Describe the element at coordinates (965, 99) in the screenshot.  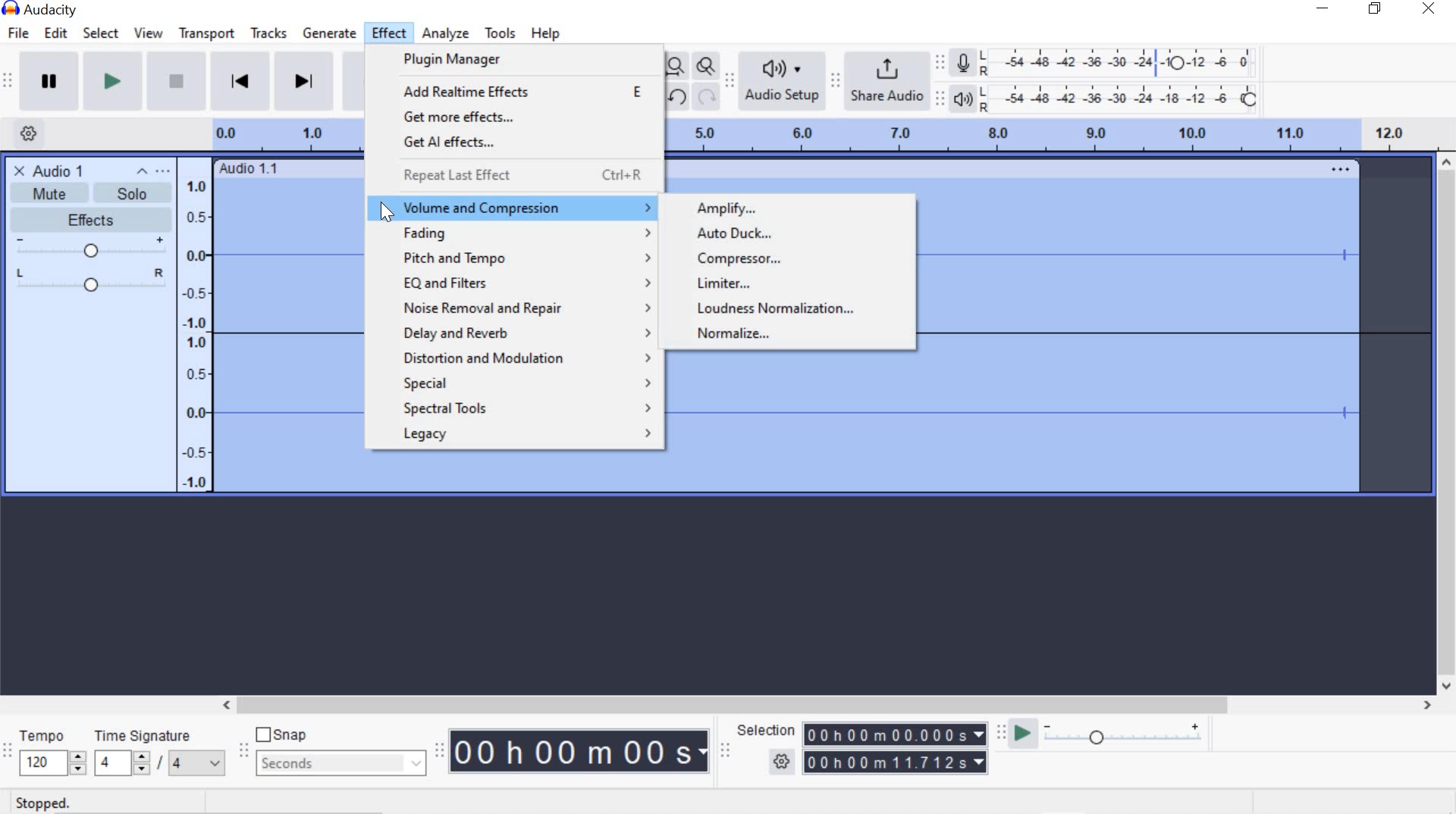
I see `Playback meter` at that location.